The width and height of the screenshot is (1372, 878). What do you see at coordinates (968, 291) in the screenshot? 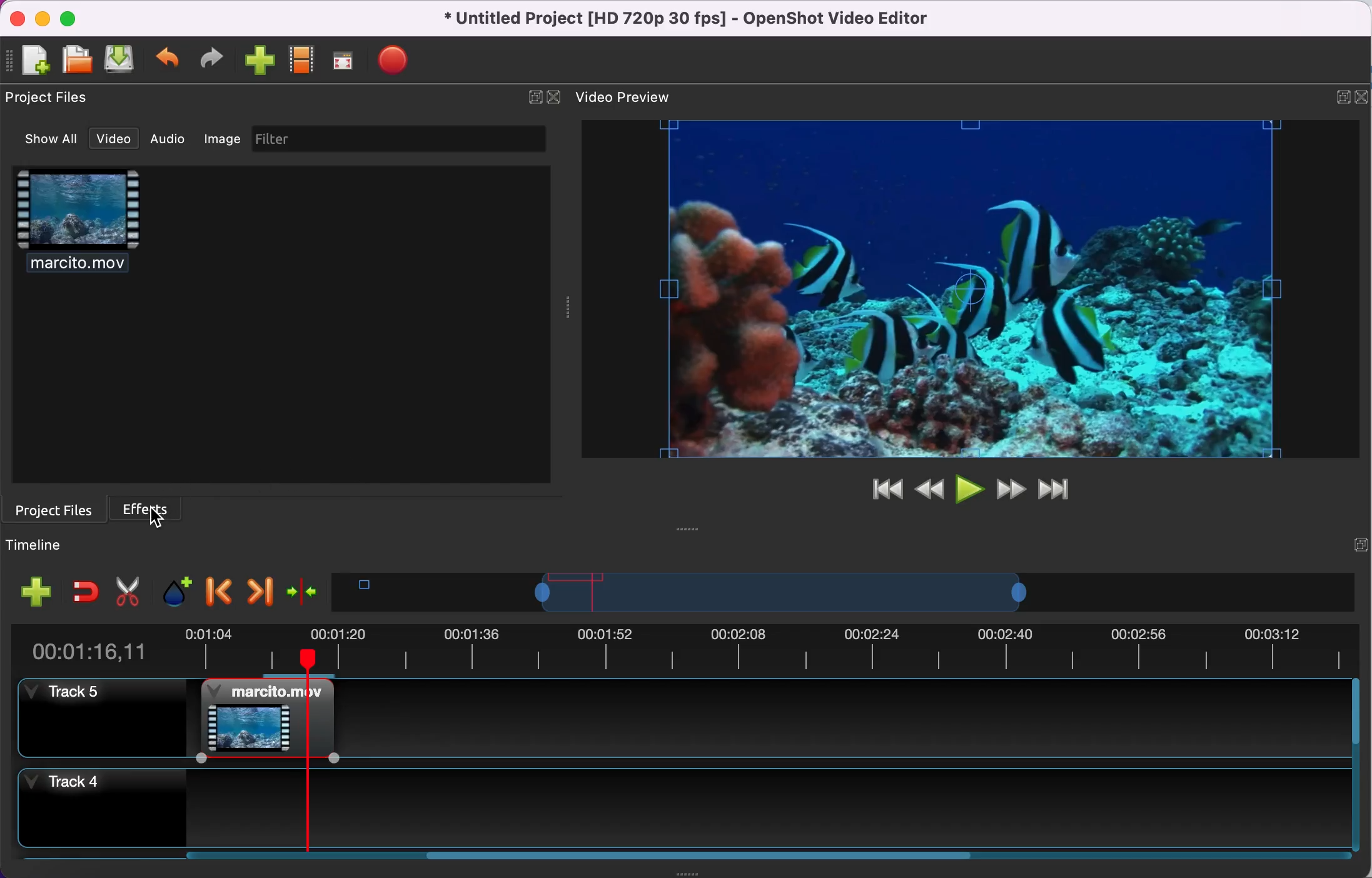
I see `video preview` at bounding box center [968, 291].